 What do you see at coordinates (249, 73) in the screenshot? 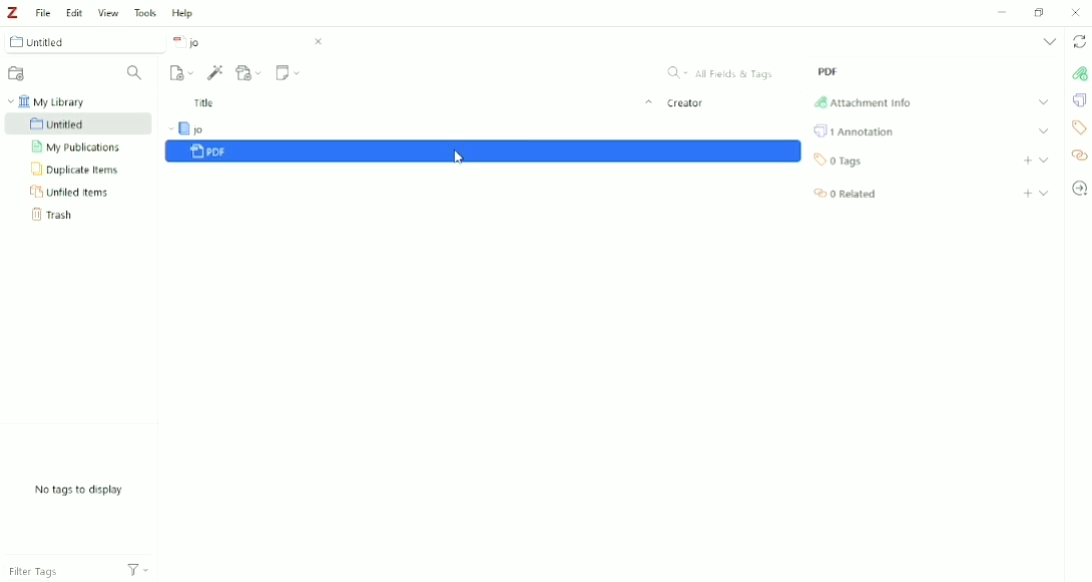
I see `Add Attachment` at bounding box center [249, 73].